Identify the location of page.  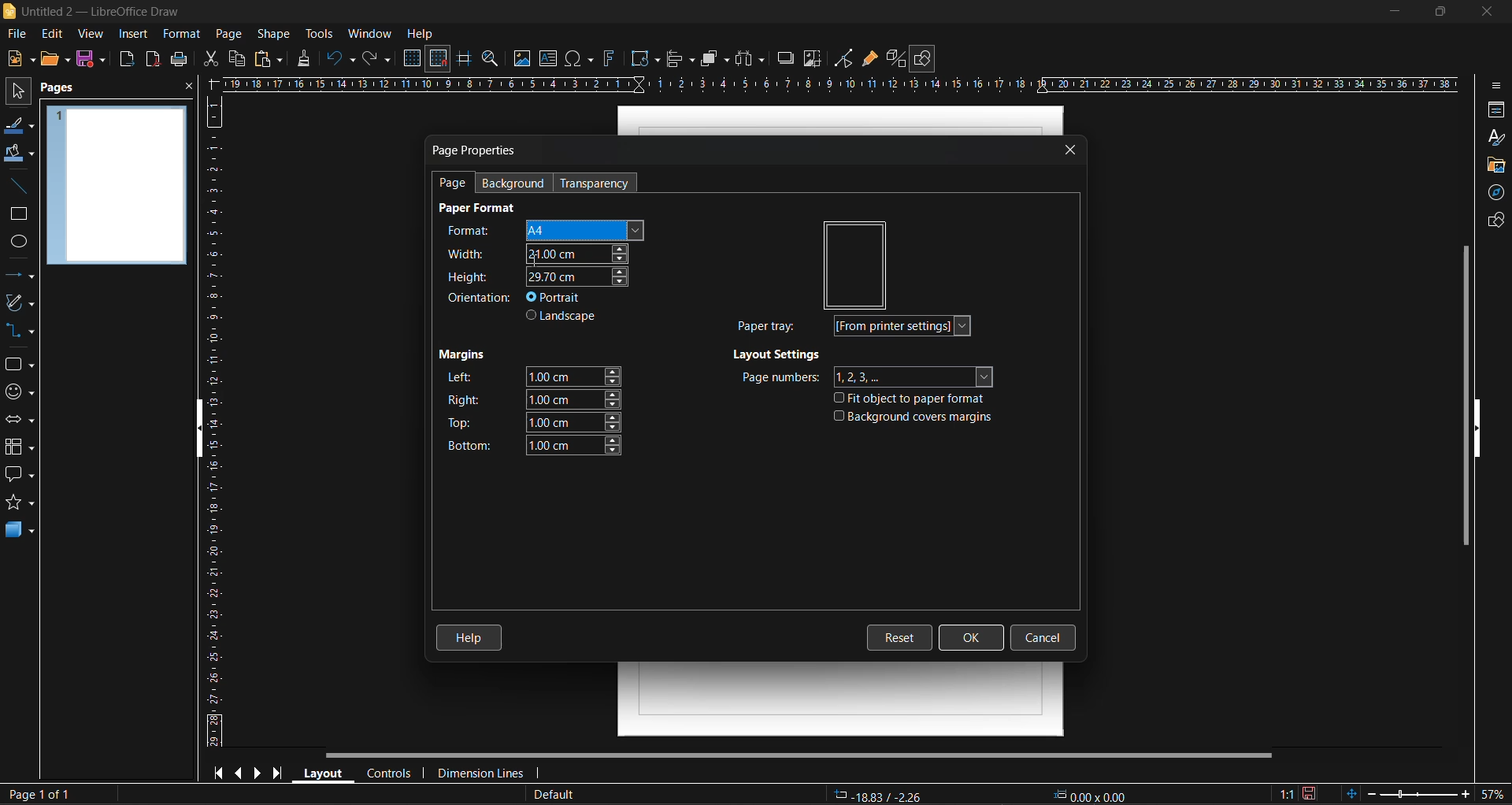
(454, 184).